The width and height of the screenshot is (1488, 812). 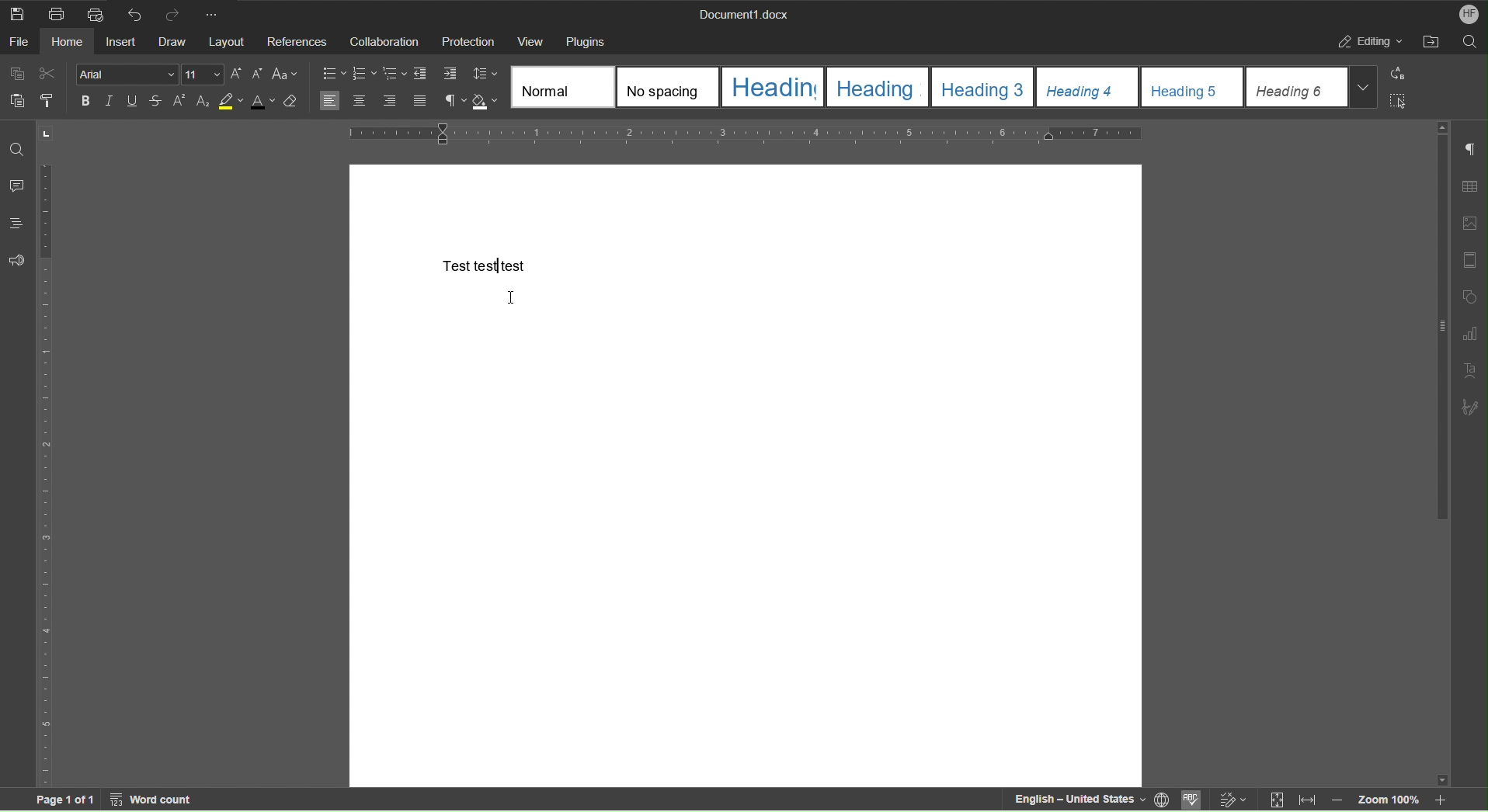 What do you see at coordinates (178, 42) in the screenshot?
I see `Draw` at bounding box center [178, 42].